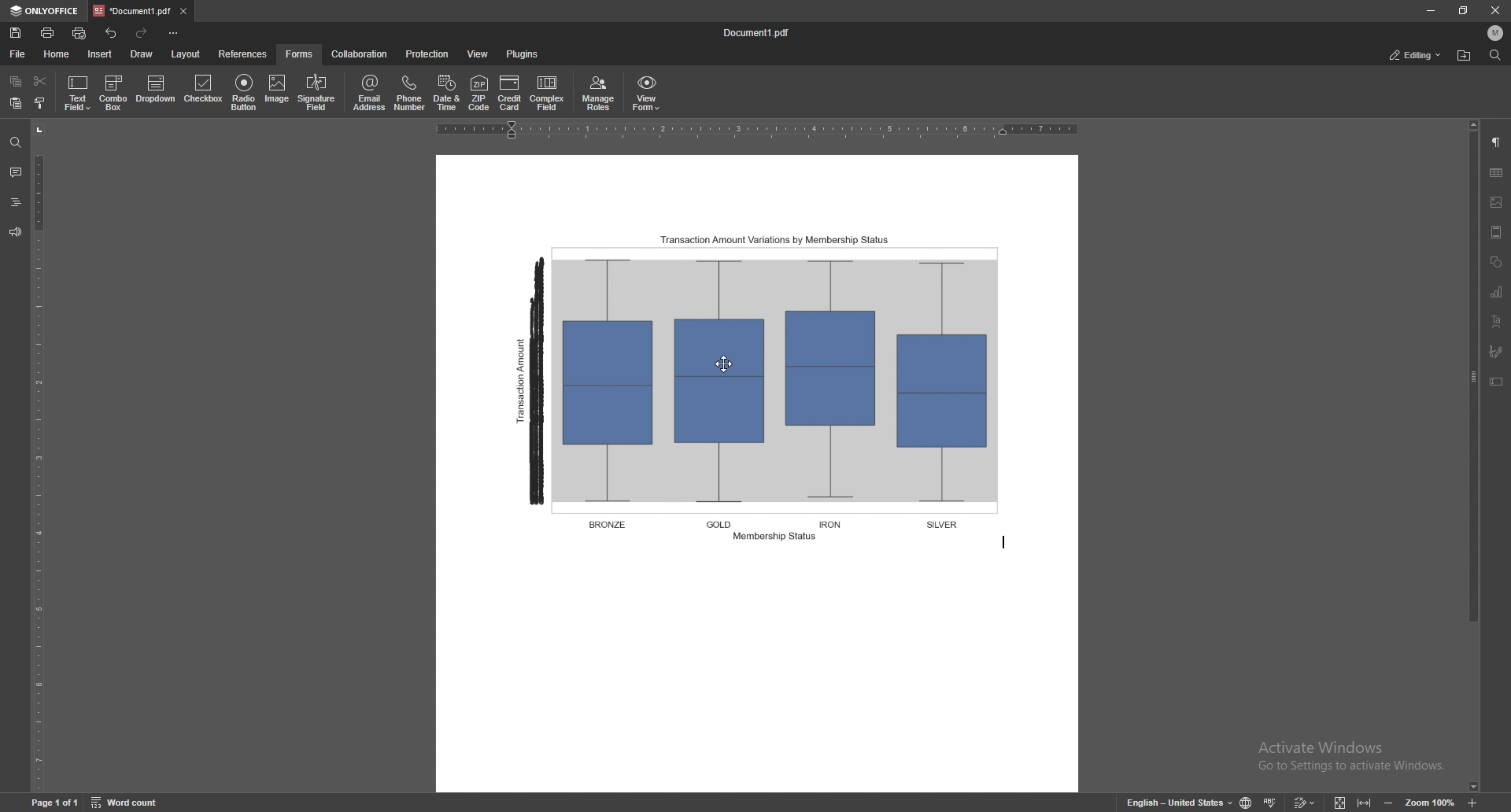 This screenshot has height=812, width=1511. Describe the element at coordinates (768, 392) in the screenshot. I see `figure` at that location.